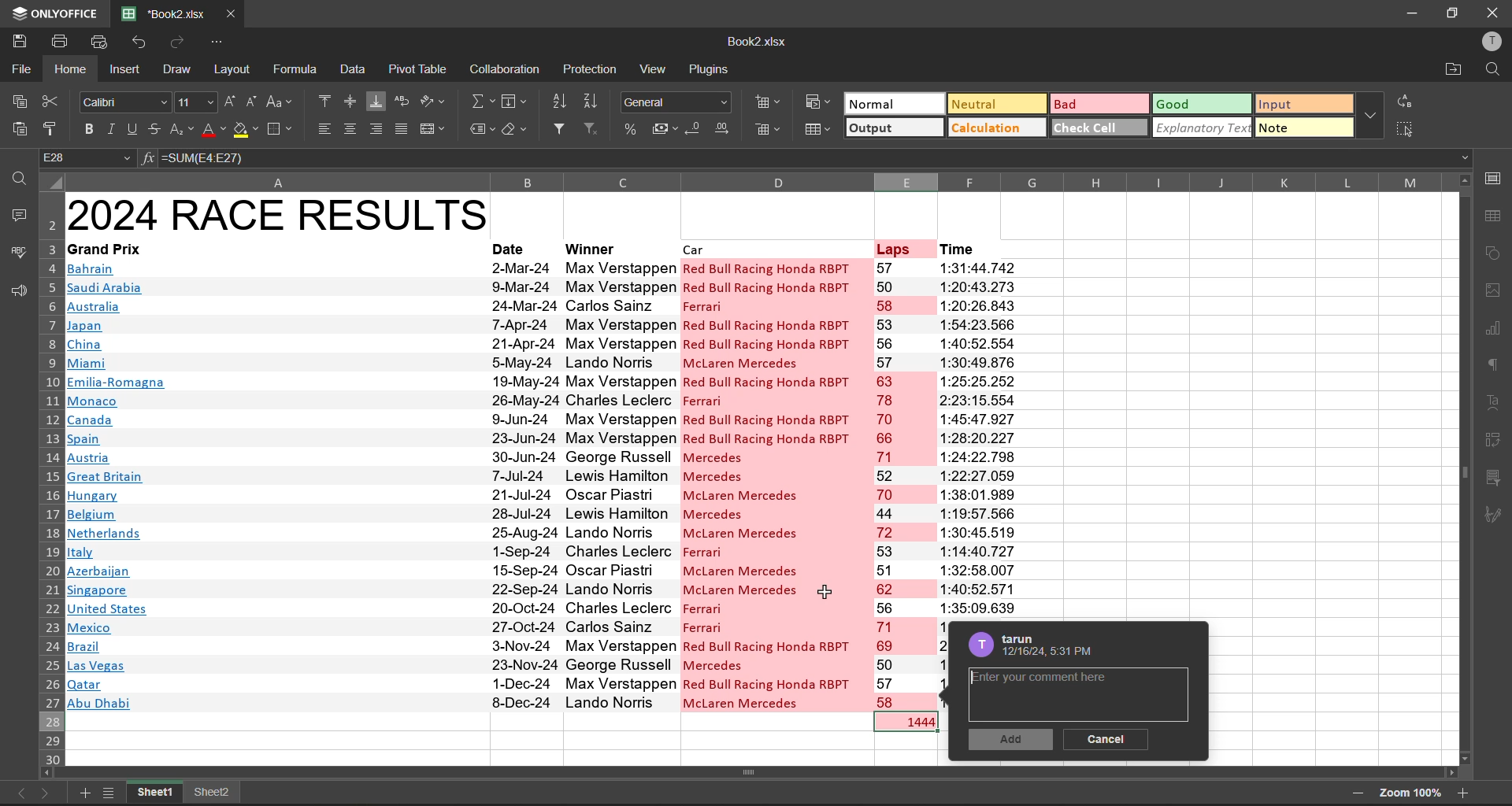 Image resolution: width=1512 pixels, height=806 pixels. Describe the element at coordinates (1492, 179) in the screenshot. I see `call settings` at that location.